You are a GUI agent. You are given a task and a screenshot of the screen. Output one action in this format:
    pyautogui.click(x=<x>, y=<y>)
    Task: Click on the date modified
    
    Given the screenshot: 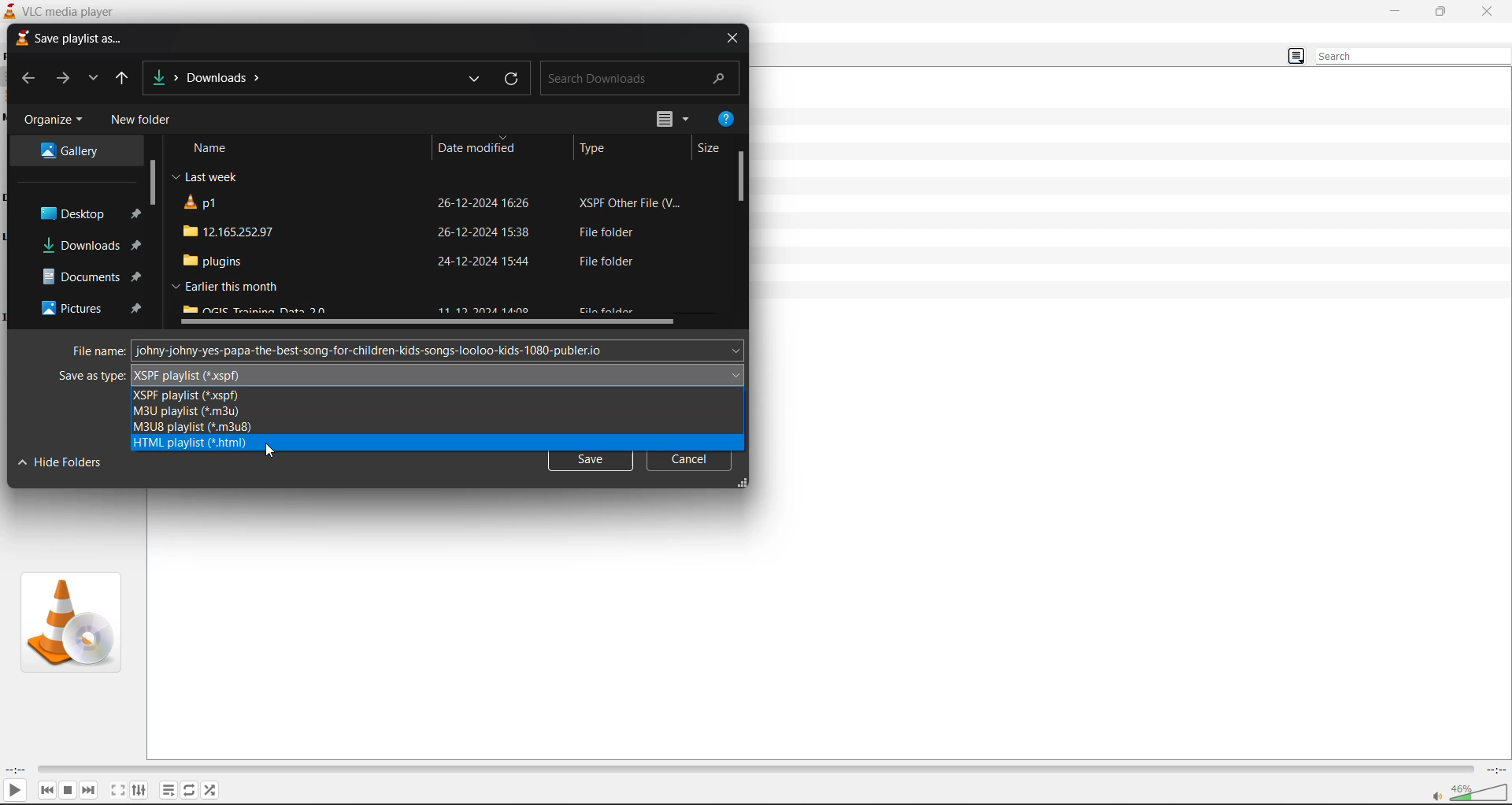 What is the action you would take?
    pyautogui.click(x=476, y=147)
    